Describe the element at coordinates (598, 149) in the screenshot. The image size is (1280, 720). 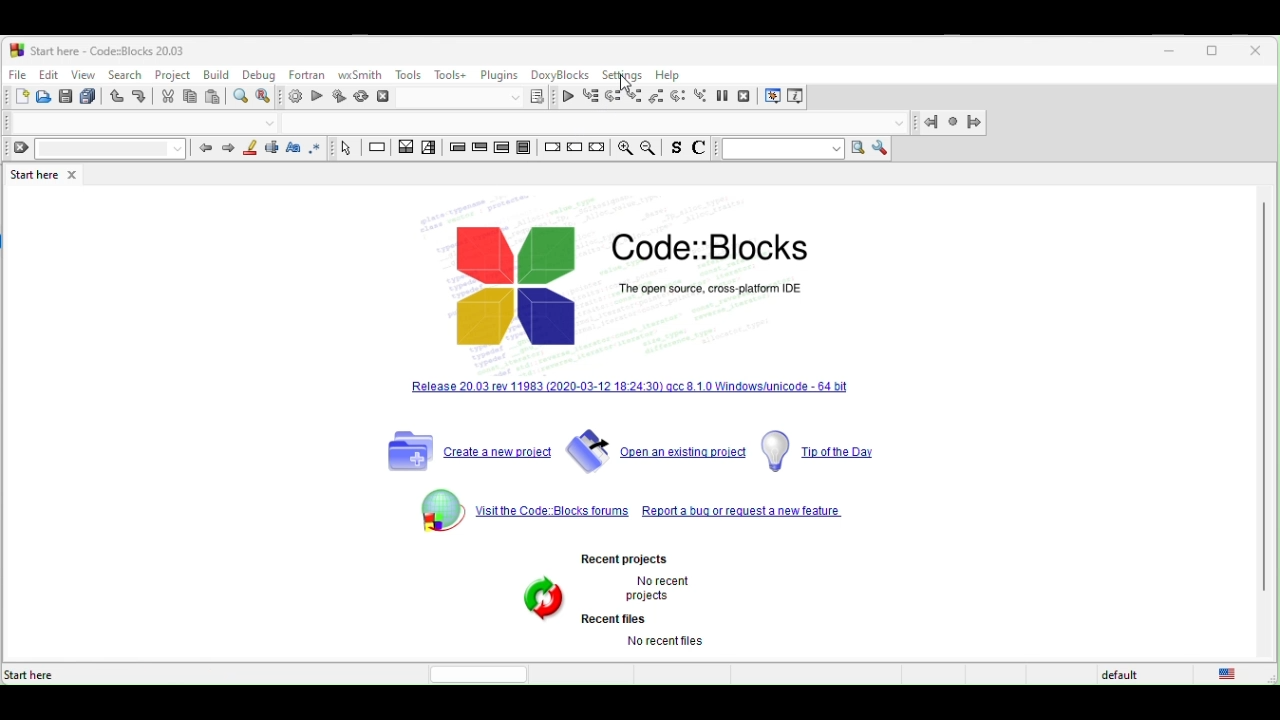
I see `return` at that location.